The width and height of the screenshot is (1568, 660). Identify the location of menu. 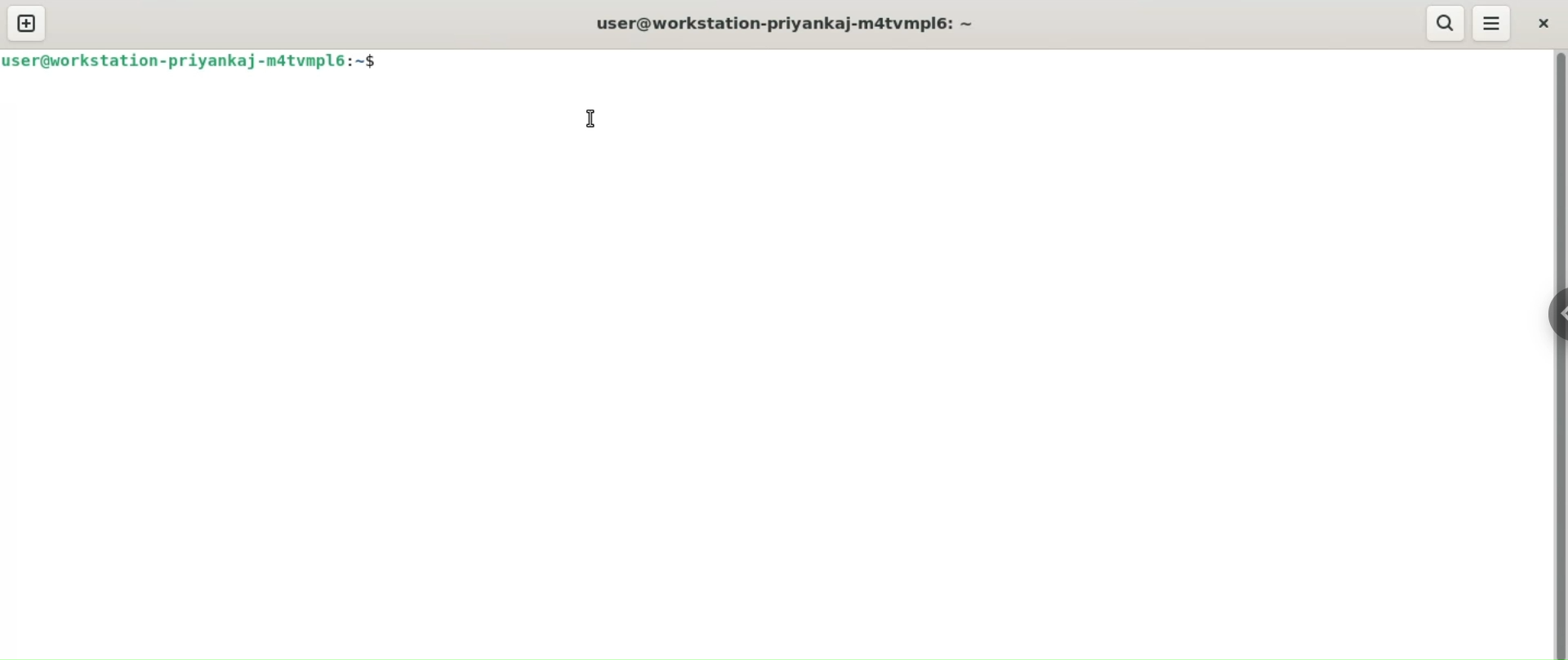
(1493, 24).